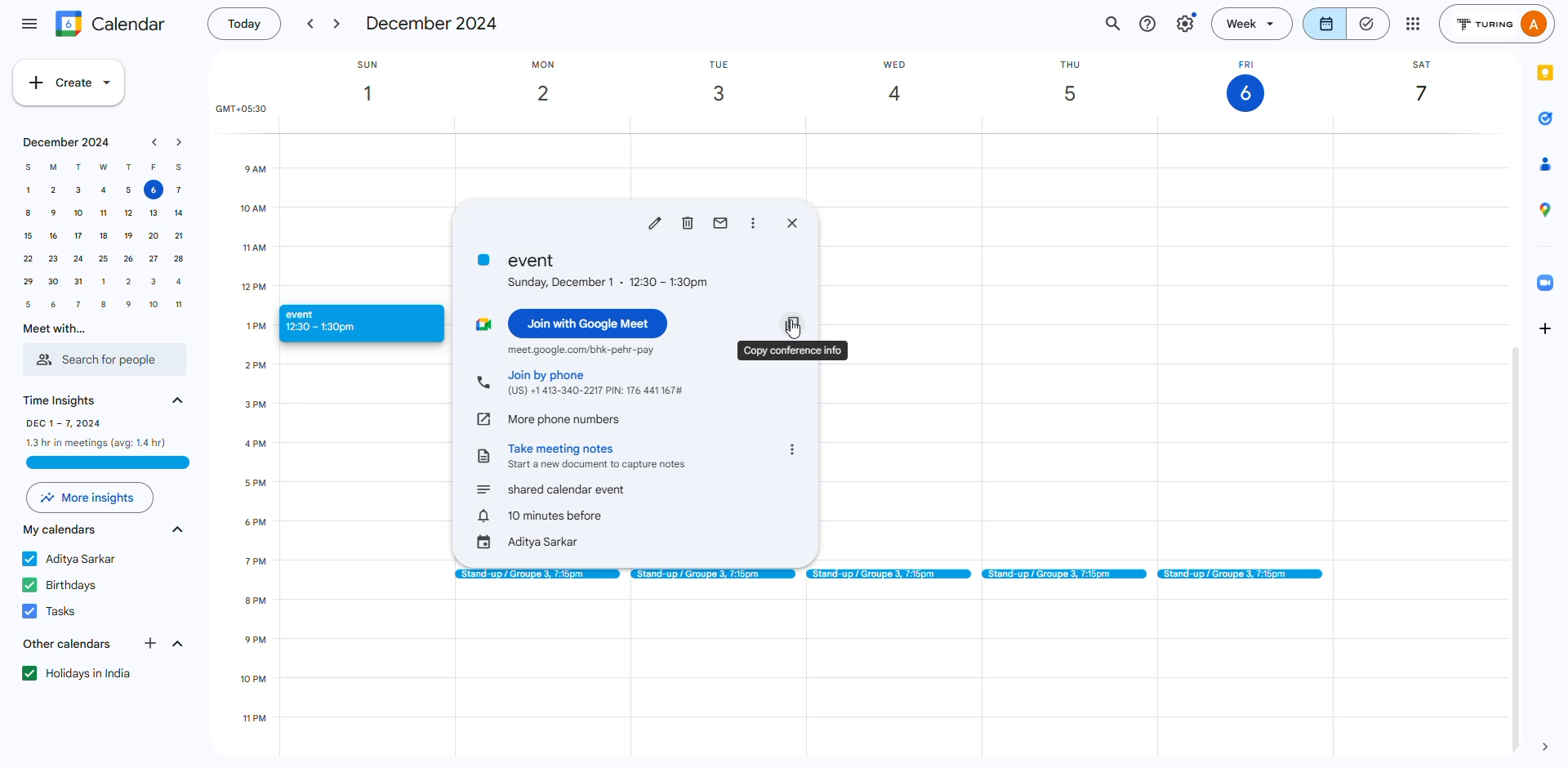 This screenshot has height=768, width=1568. Describe the element at coordinates (54, 168) in the screenshot. I see `M` at that location.